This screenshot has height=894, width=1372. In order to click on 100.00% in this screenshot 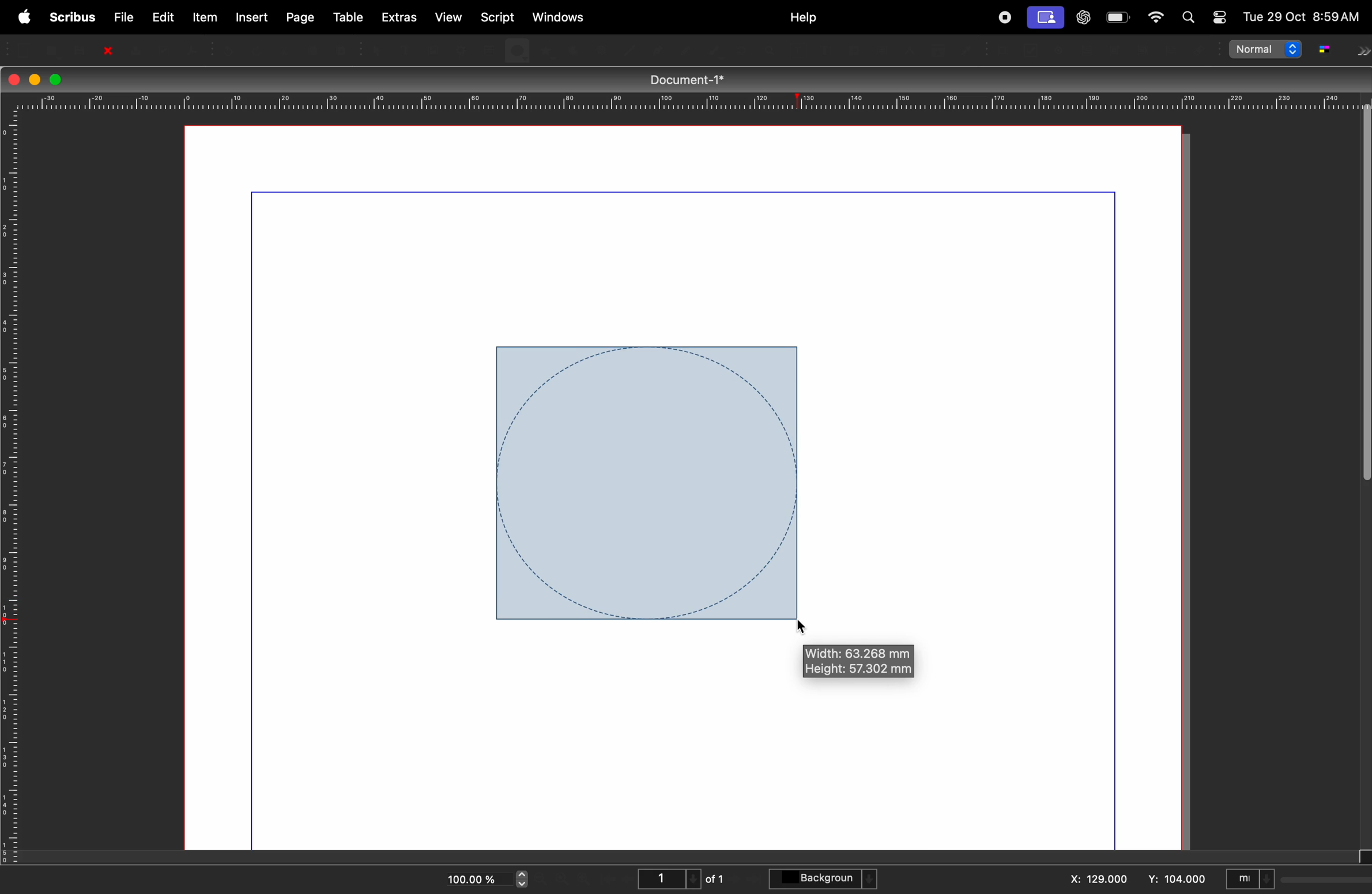, I will do `click(469, 876)`.